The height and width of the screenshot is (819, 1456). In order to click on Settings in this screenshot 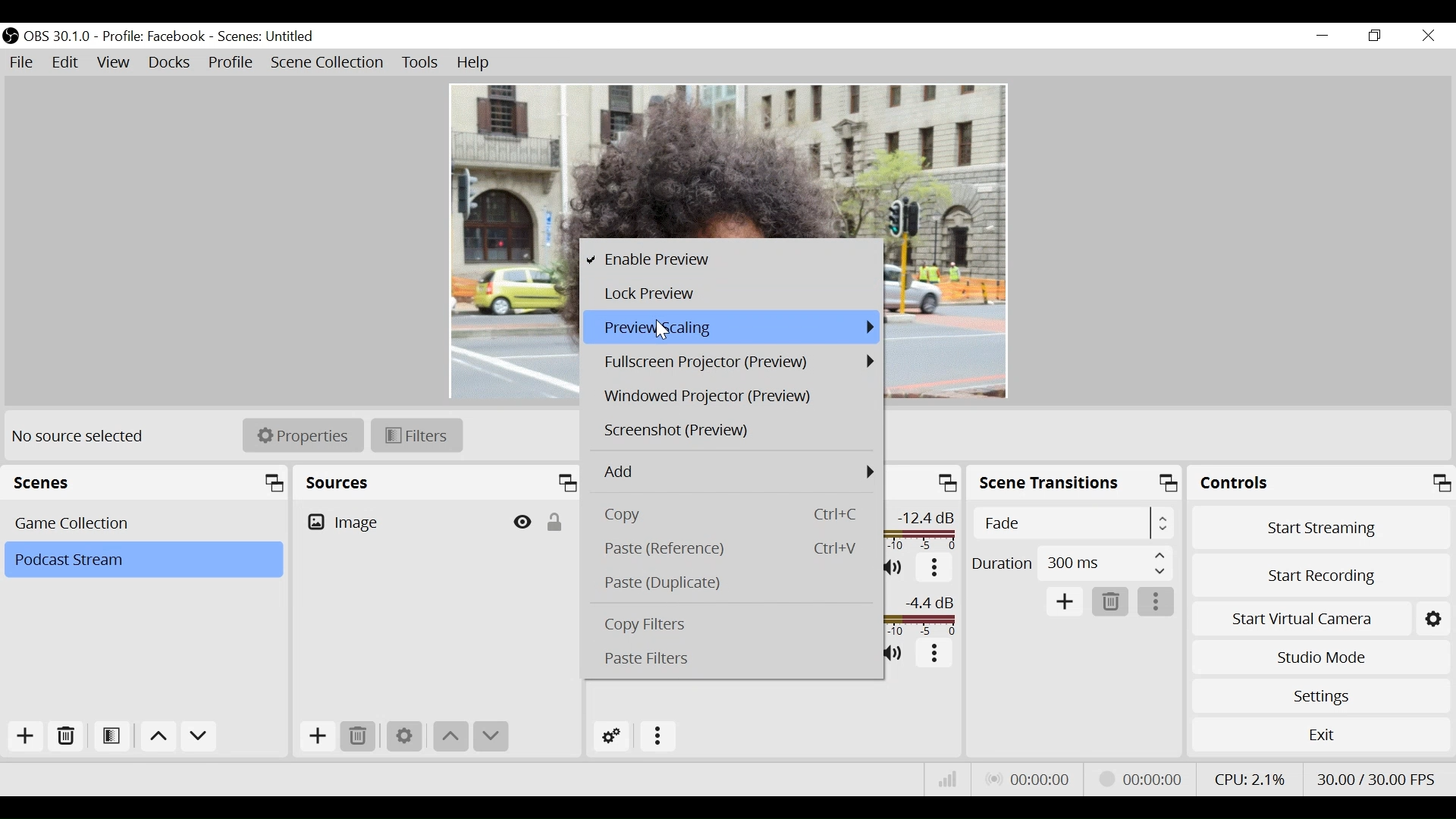, I will do `click(406, 739)`.